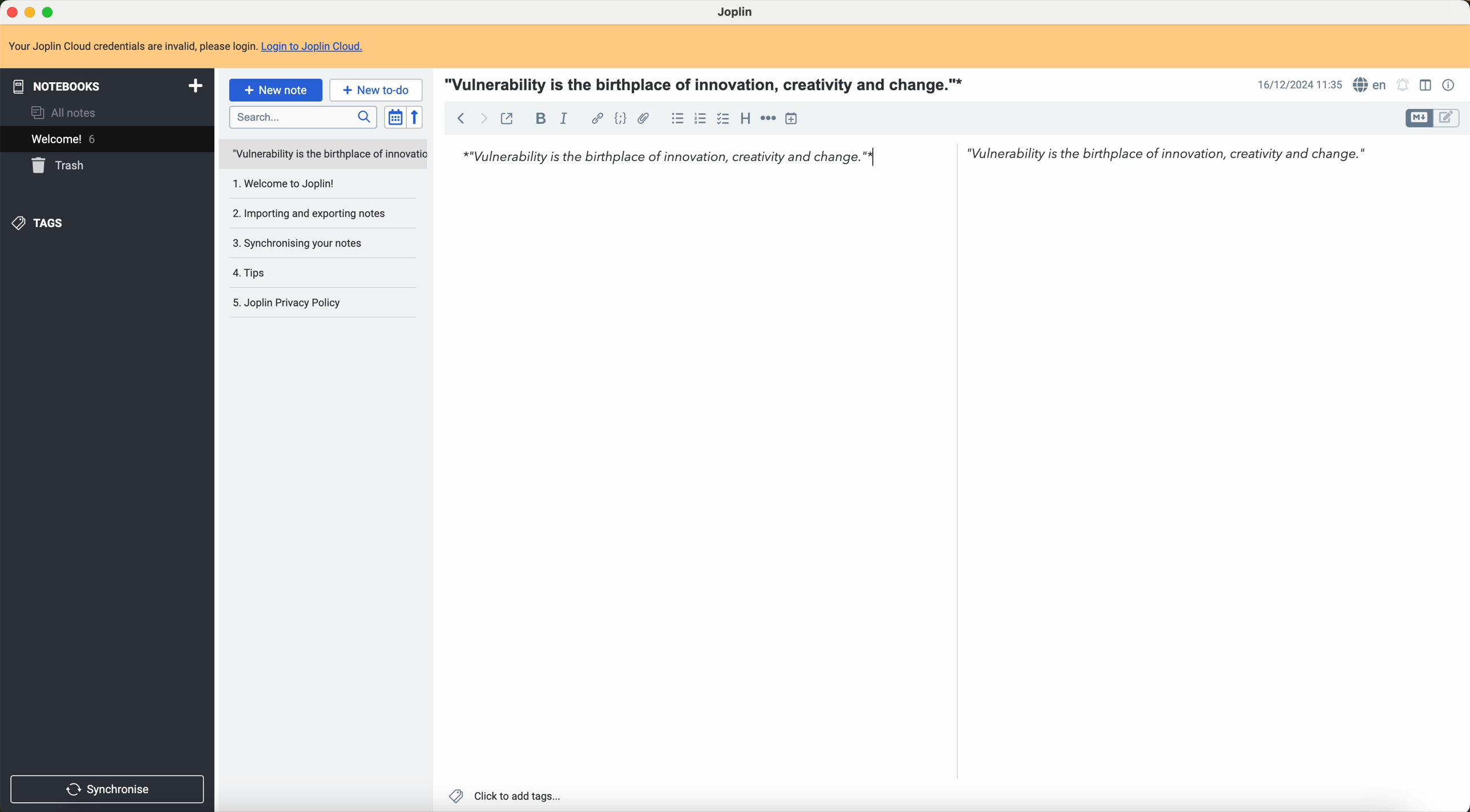  Describe the element at coordinates (131, 45) in the screenshot. I see `Your Joplin Cloud credentials are invalid, please login.` at that location.